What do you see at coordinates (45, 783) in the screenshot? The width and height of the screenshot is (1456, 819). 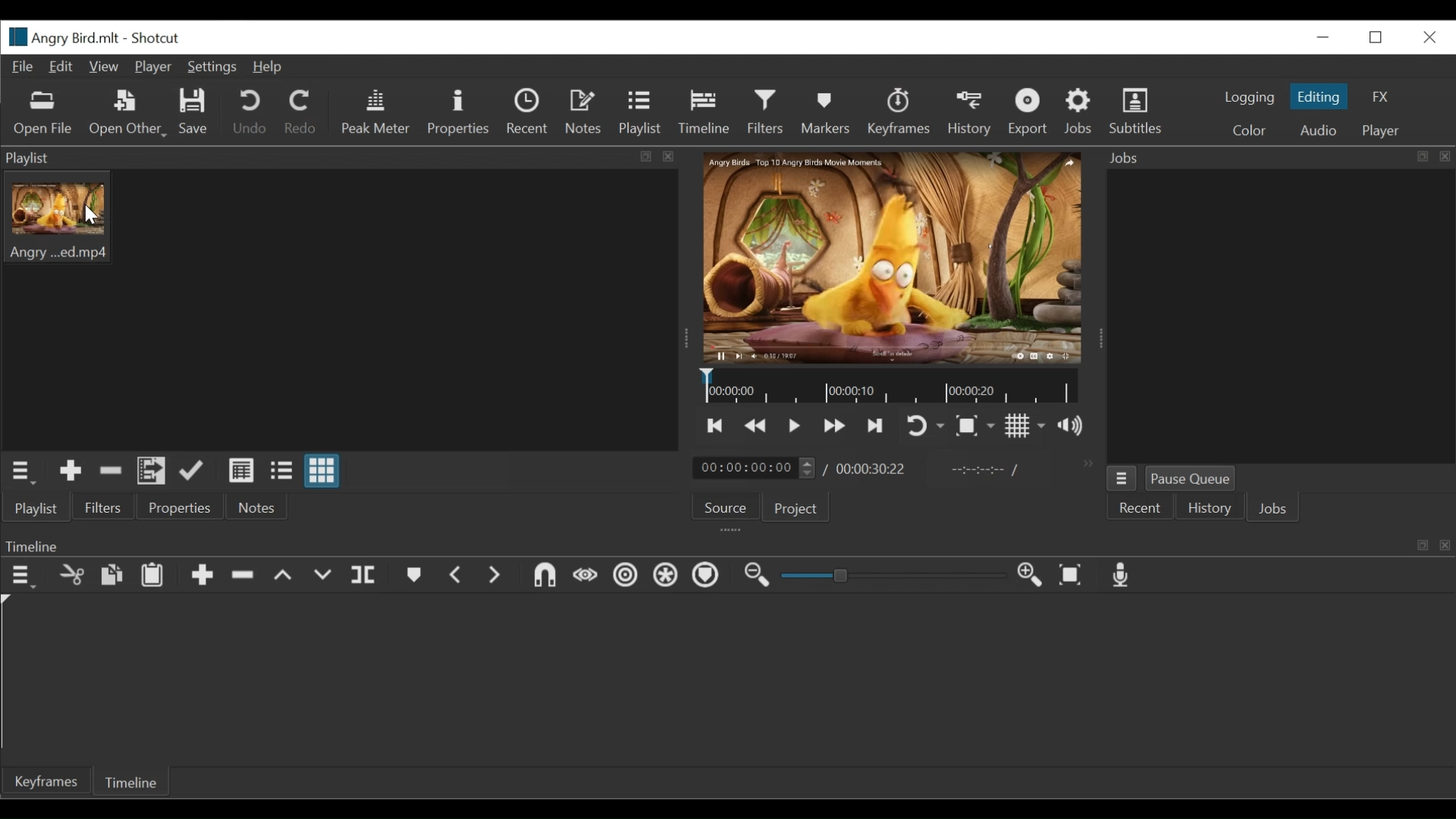 I see `Keyframe` at bounding box center [45, 783].